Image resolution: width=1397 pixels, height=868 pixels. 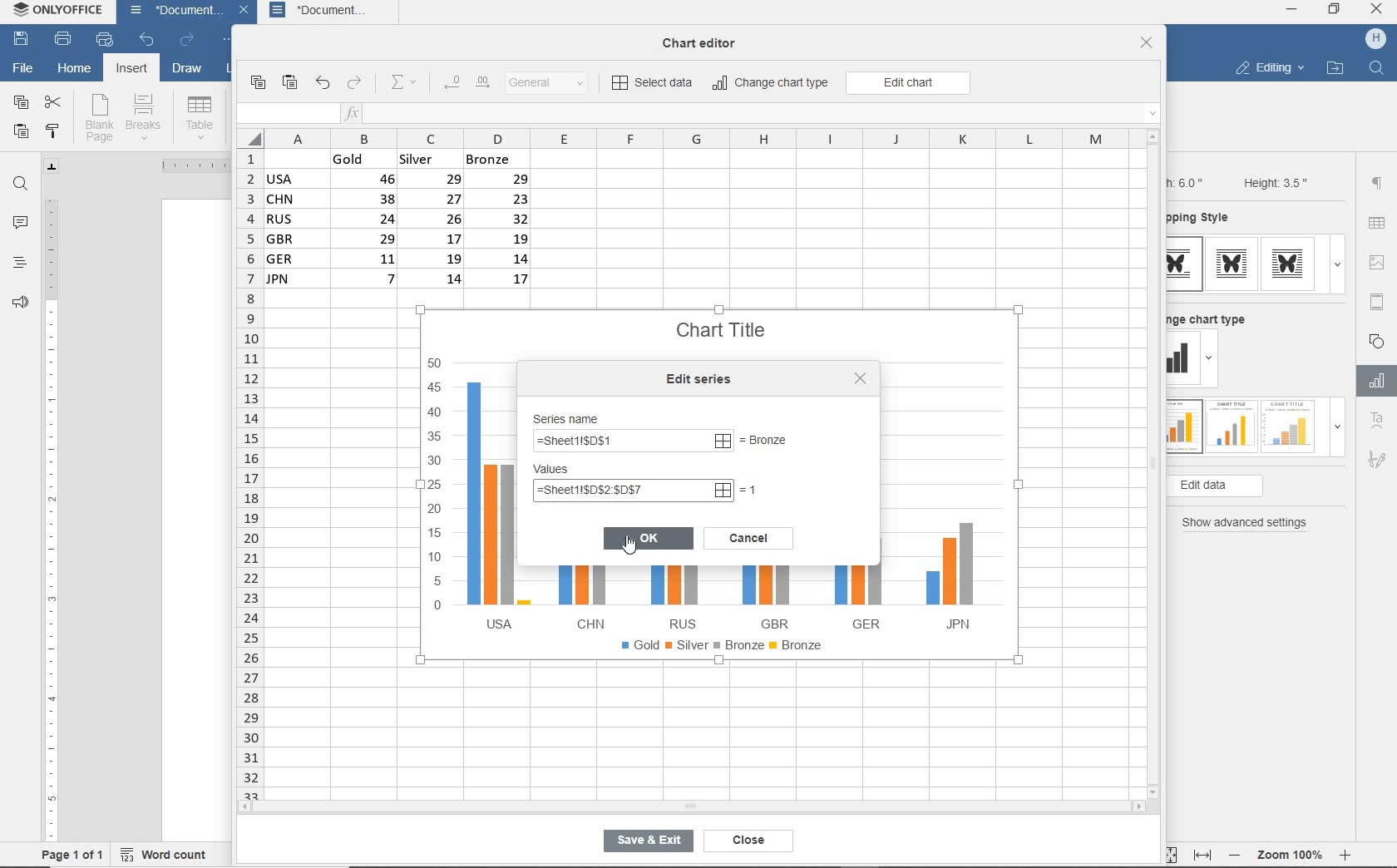 I want to click on lose, so click(x=860, y=378).